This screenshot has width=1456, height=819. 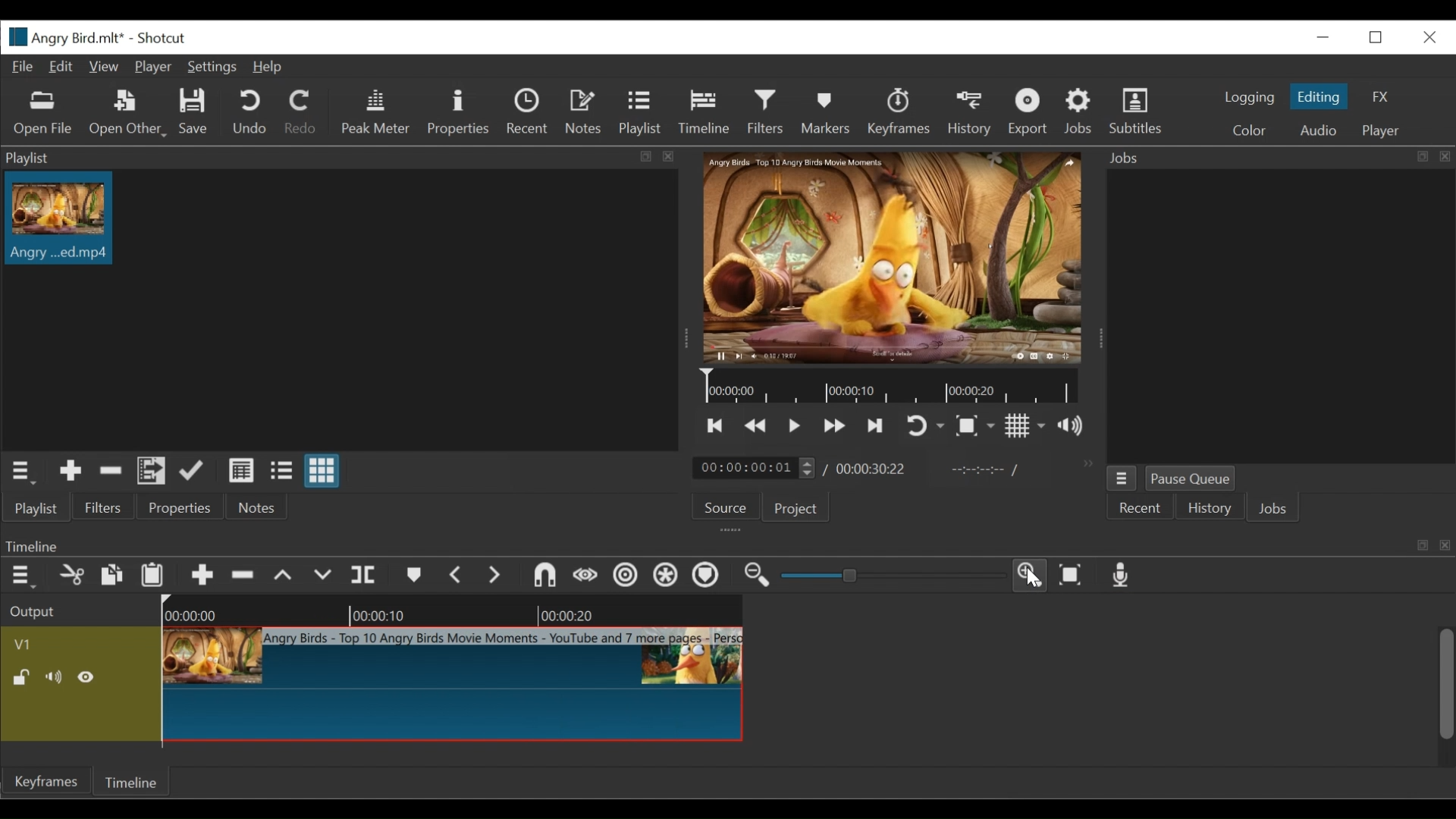 What do you see at coordinates (926, 425) in the screenshot?
I see `Toggle player looping` at bounding box center [926, 425].